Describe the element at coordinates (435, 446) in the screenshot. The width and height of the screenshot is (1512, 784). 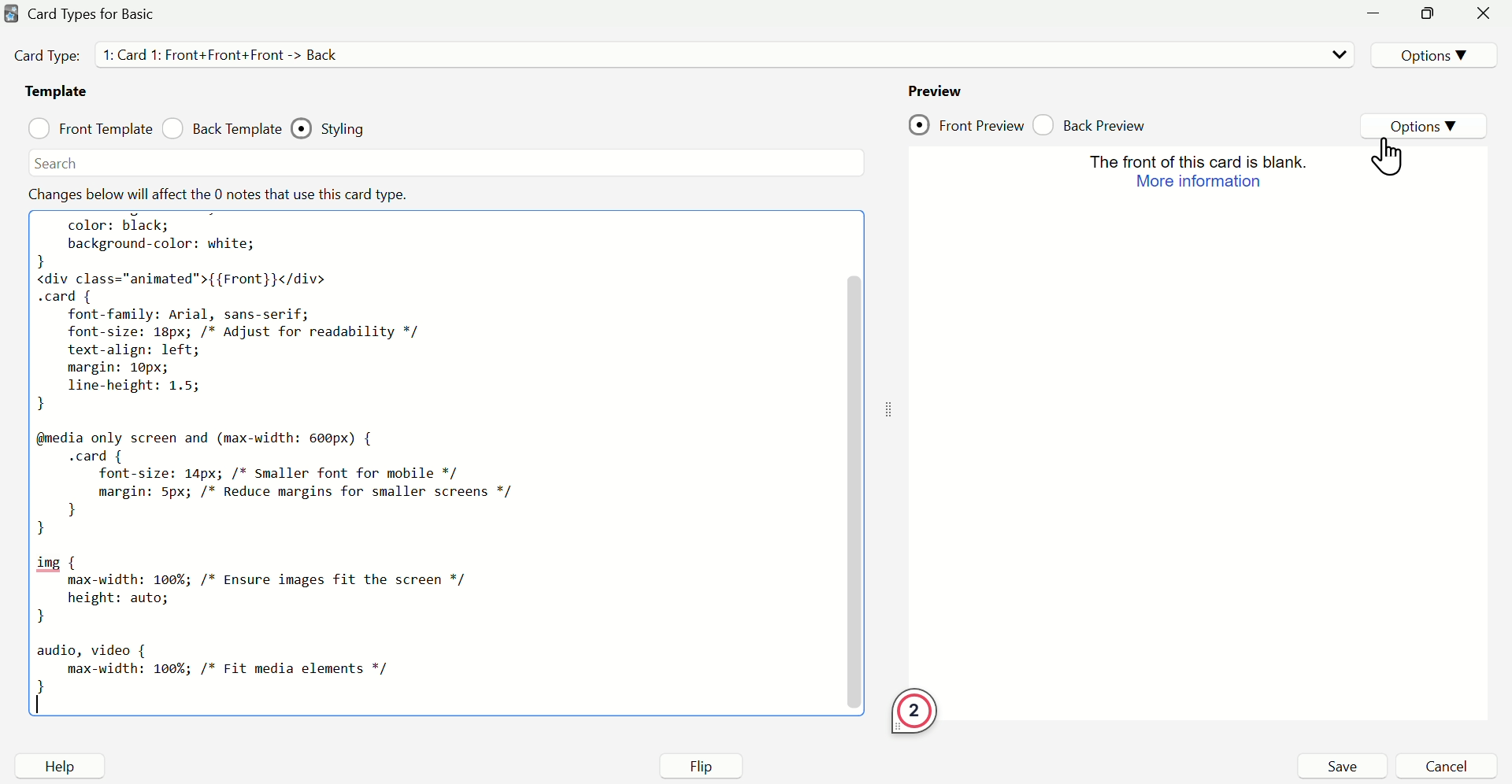
I see `Code` at that location.